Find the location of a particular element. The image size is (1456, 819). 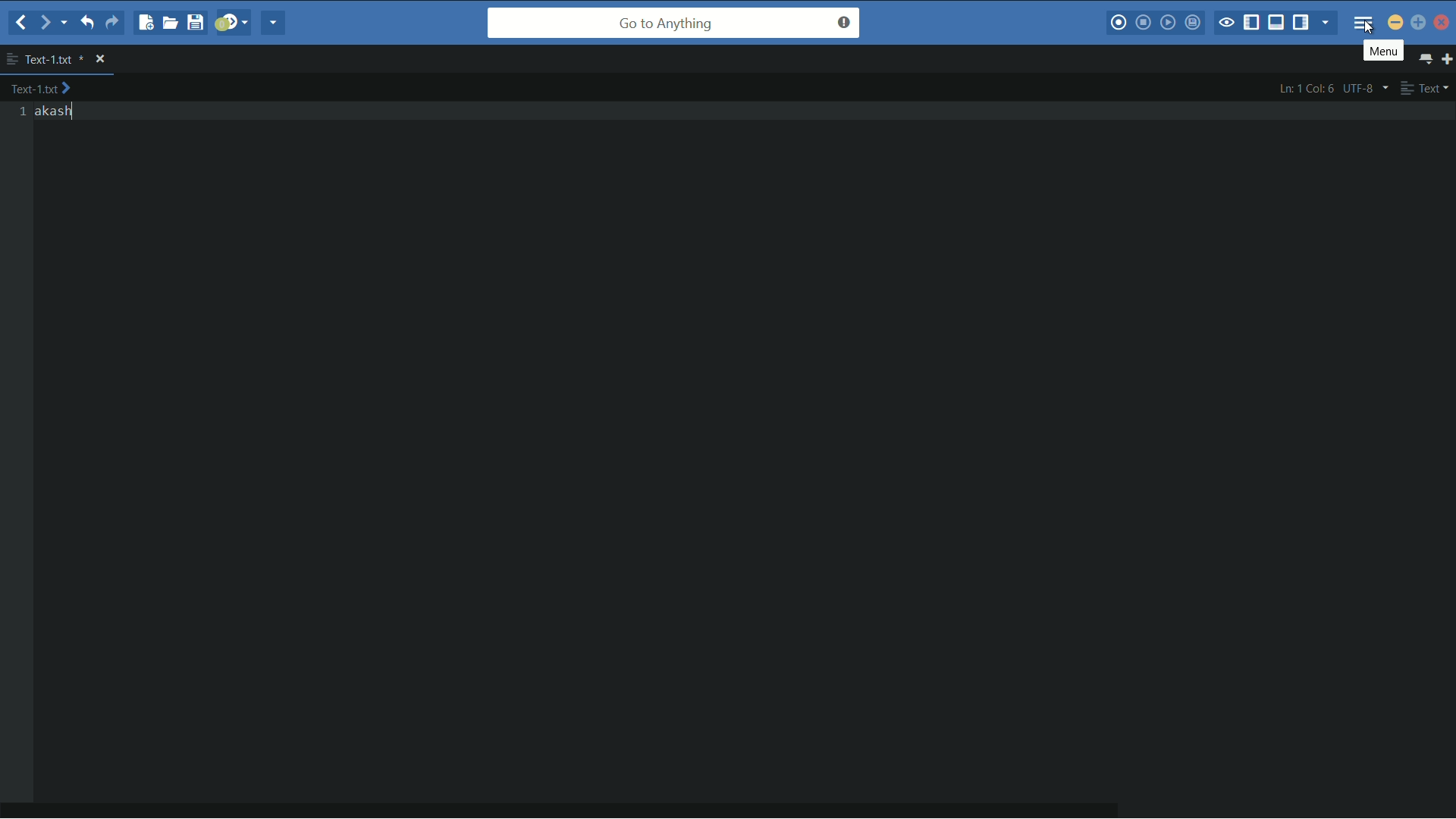

forward is located at coordinates (45, 24).